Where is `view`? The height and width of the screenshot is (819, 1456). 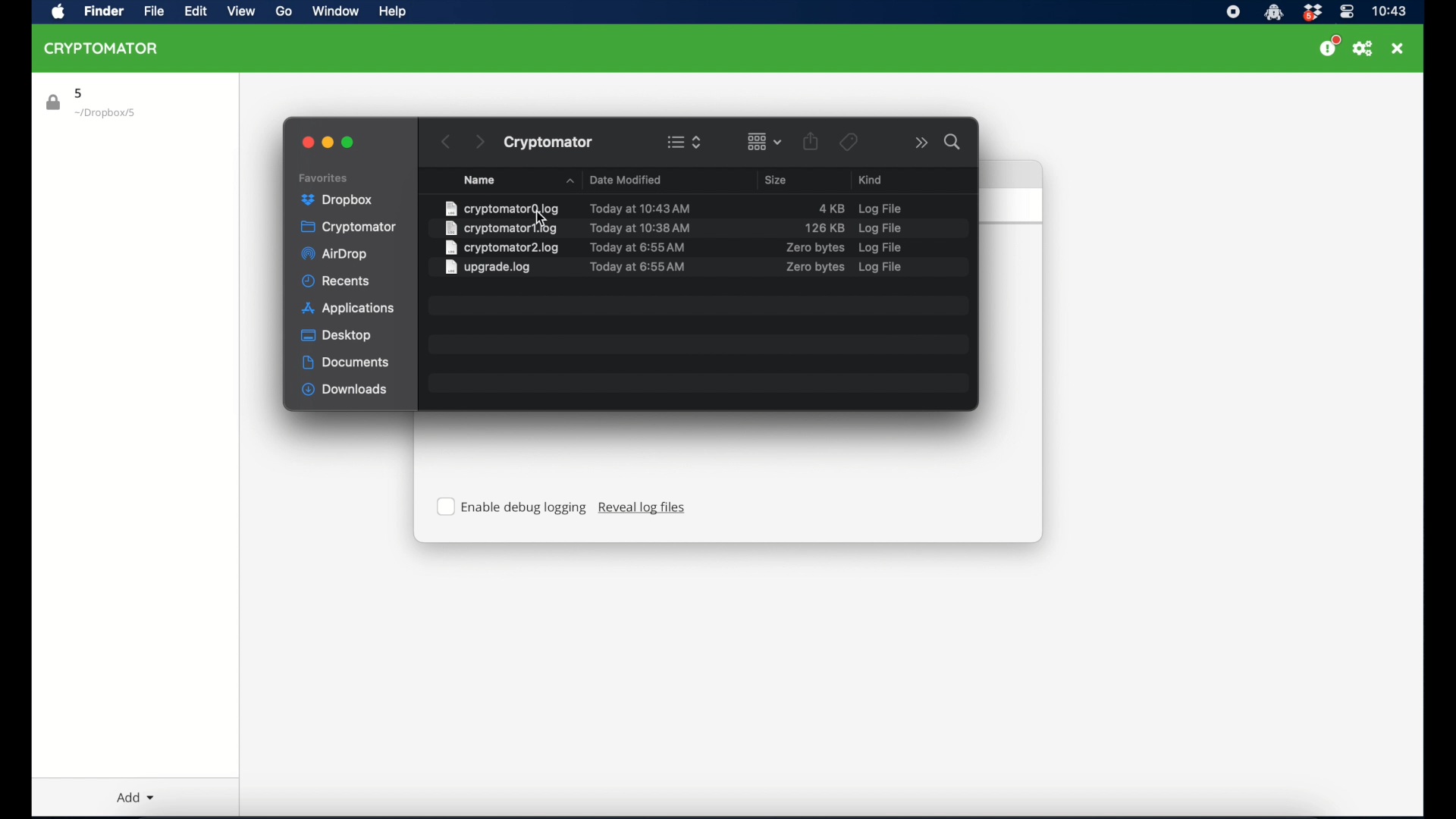
view is located at coordinates (240, 11).